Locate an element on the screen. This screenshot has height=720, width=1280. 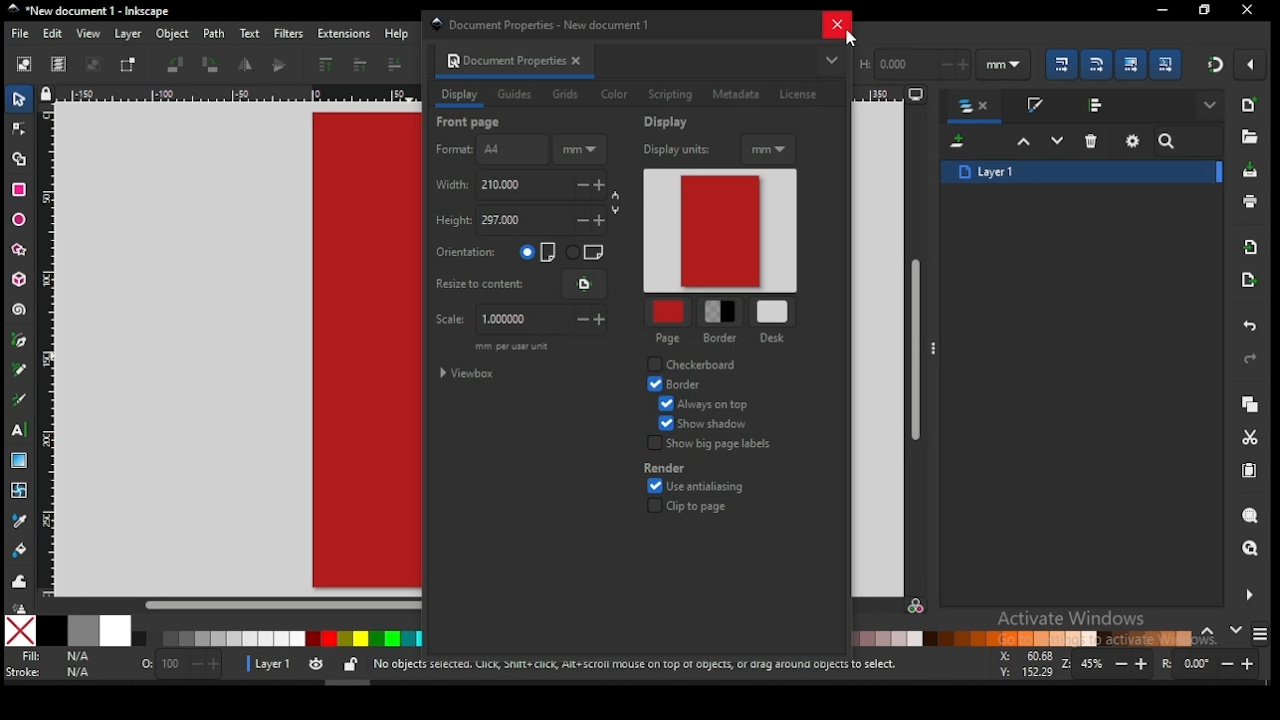
layer settings is located at coordinates (304, 665).